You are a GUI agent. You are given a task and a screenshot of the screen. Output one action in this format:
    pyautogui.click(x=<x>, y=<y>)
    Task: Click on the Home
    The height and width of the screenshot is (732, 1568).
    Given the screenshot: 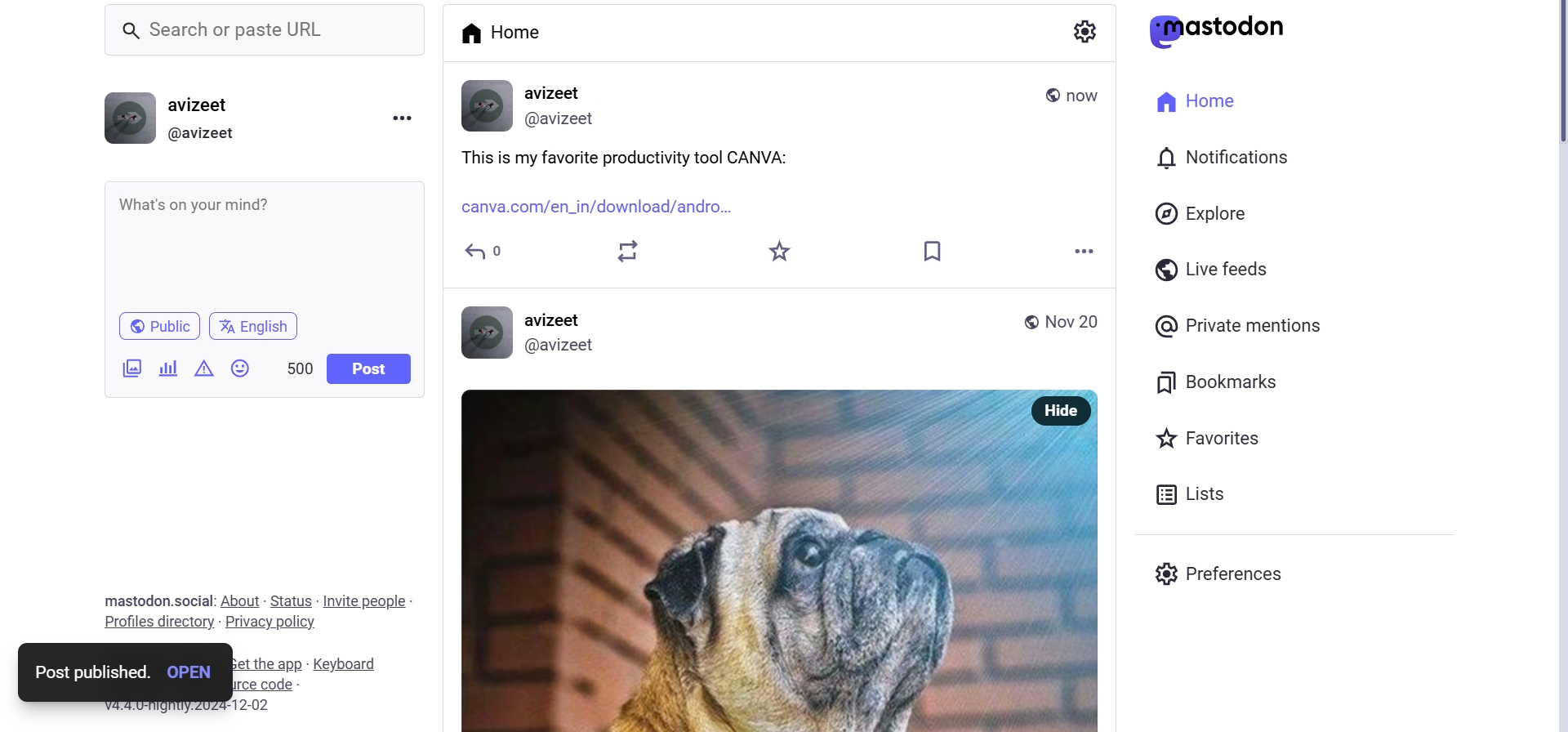 What is the action you would take?
    pyautogui.click(x=503, y=31)
    